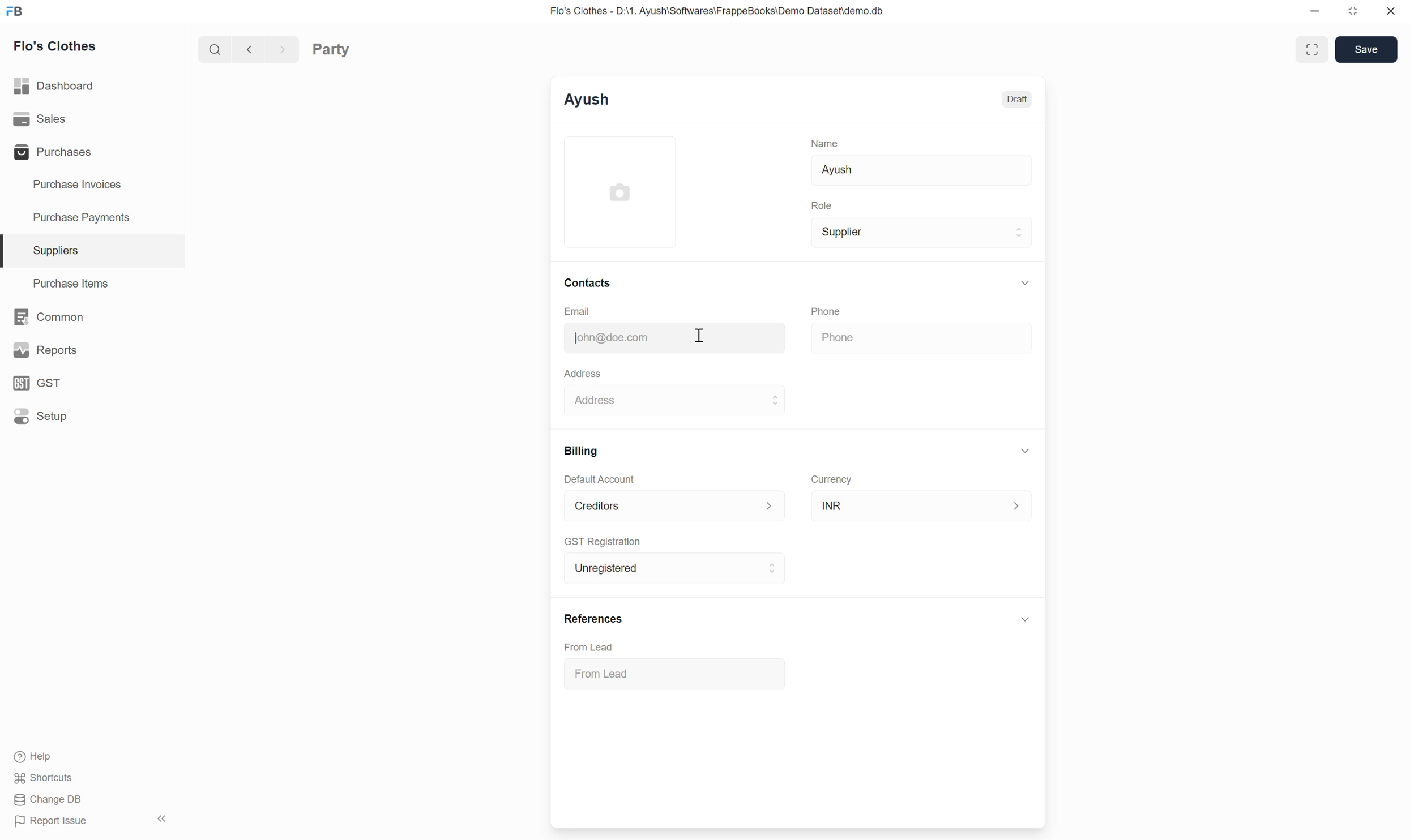  What do you see at coordinates (92, 119) in the screenshot?
I see `Sales` at bounding box center [92, 119].